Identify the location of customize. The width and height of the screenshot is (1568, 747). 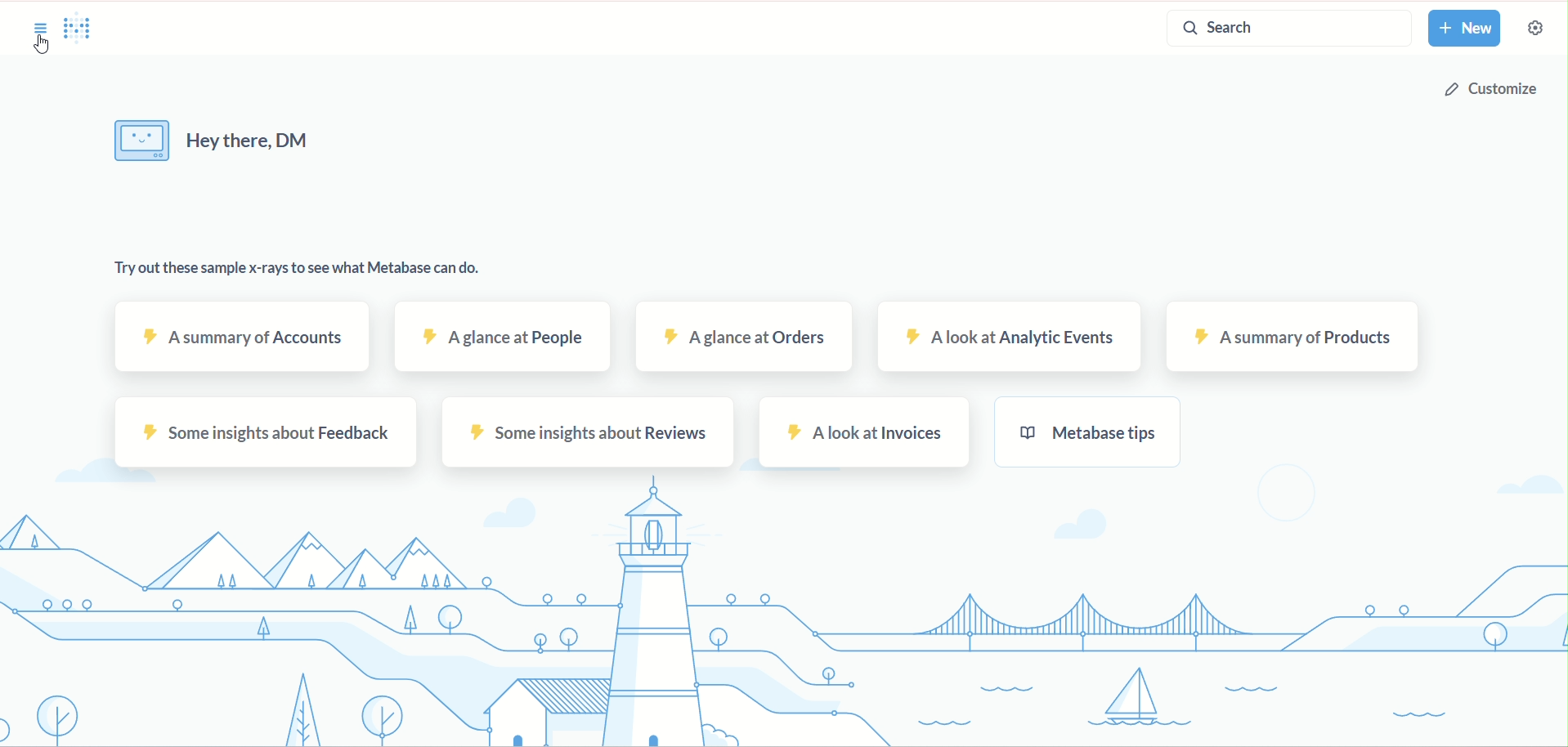
(1498, 92).